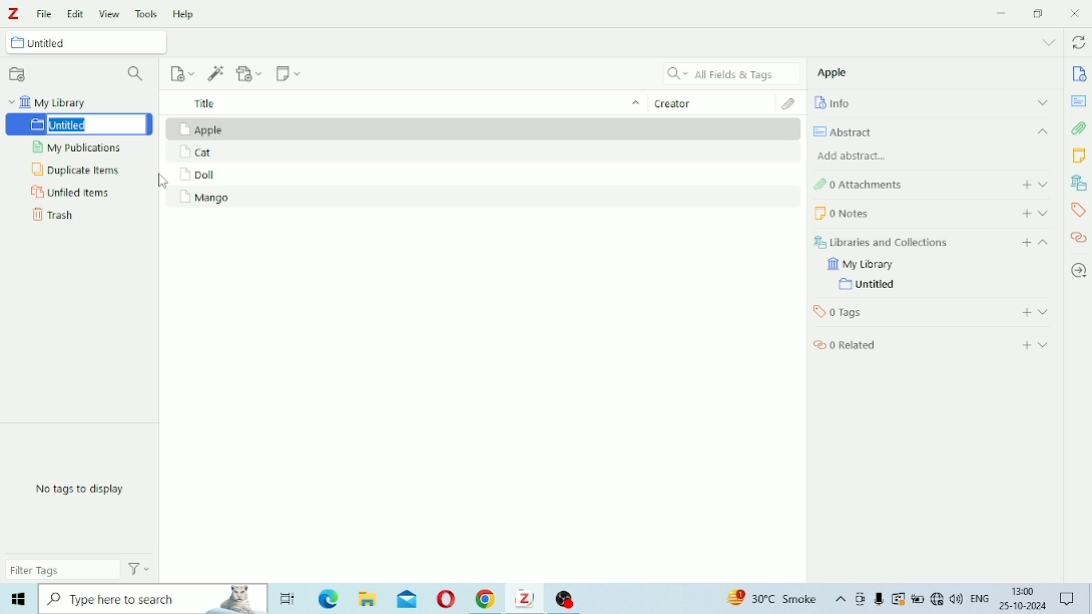 The height and width of the screenshot is (614, 1092). I want to click on Doll, so click(206, 175).